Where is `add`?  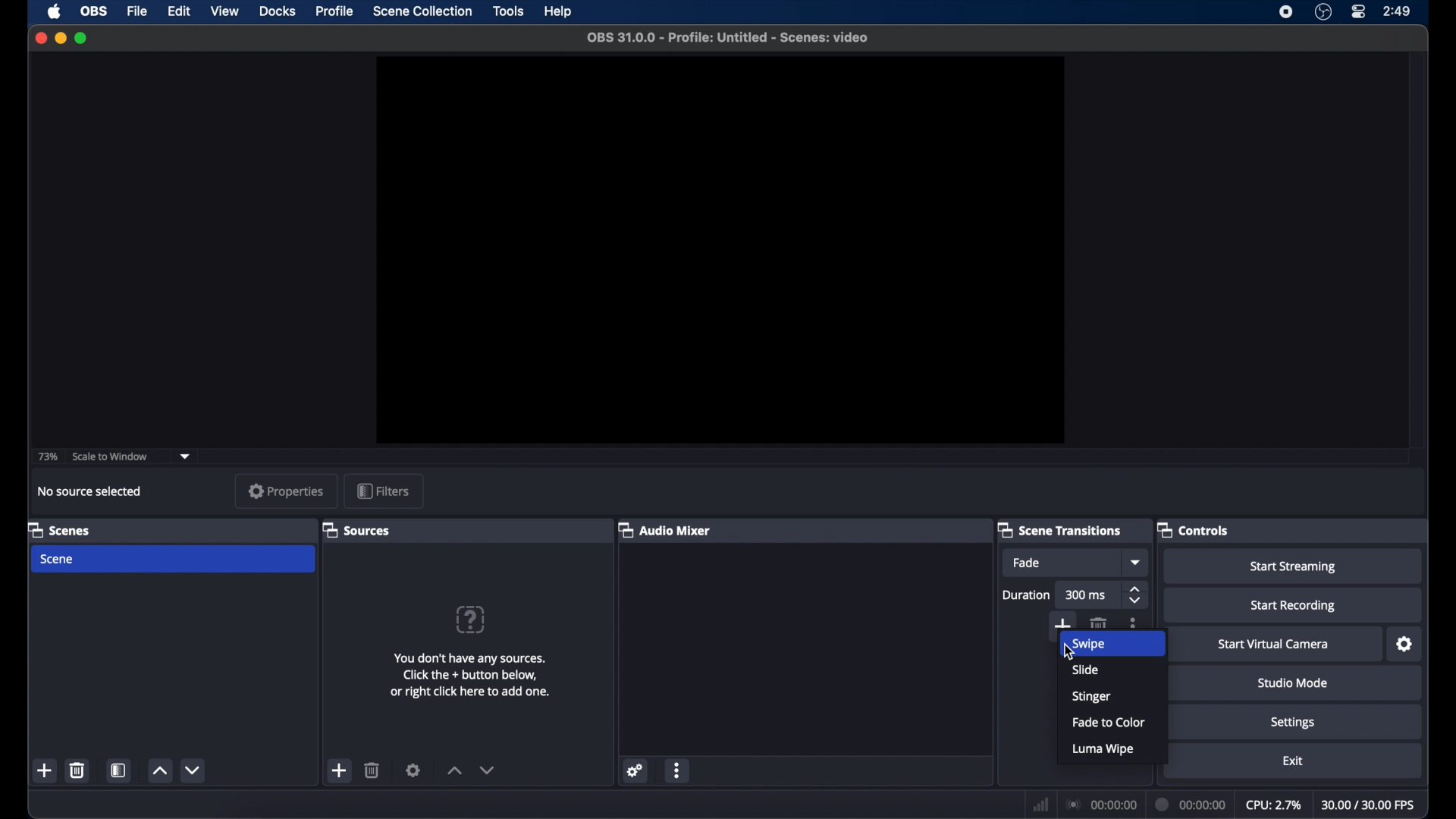
add is located at coordinates (1062, 622).